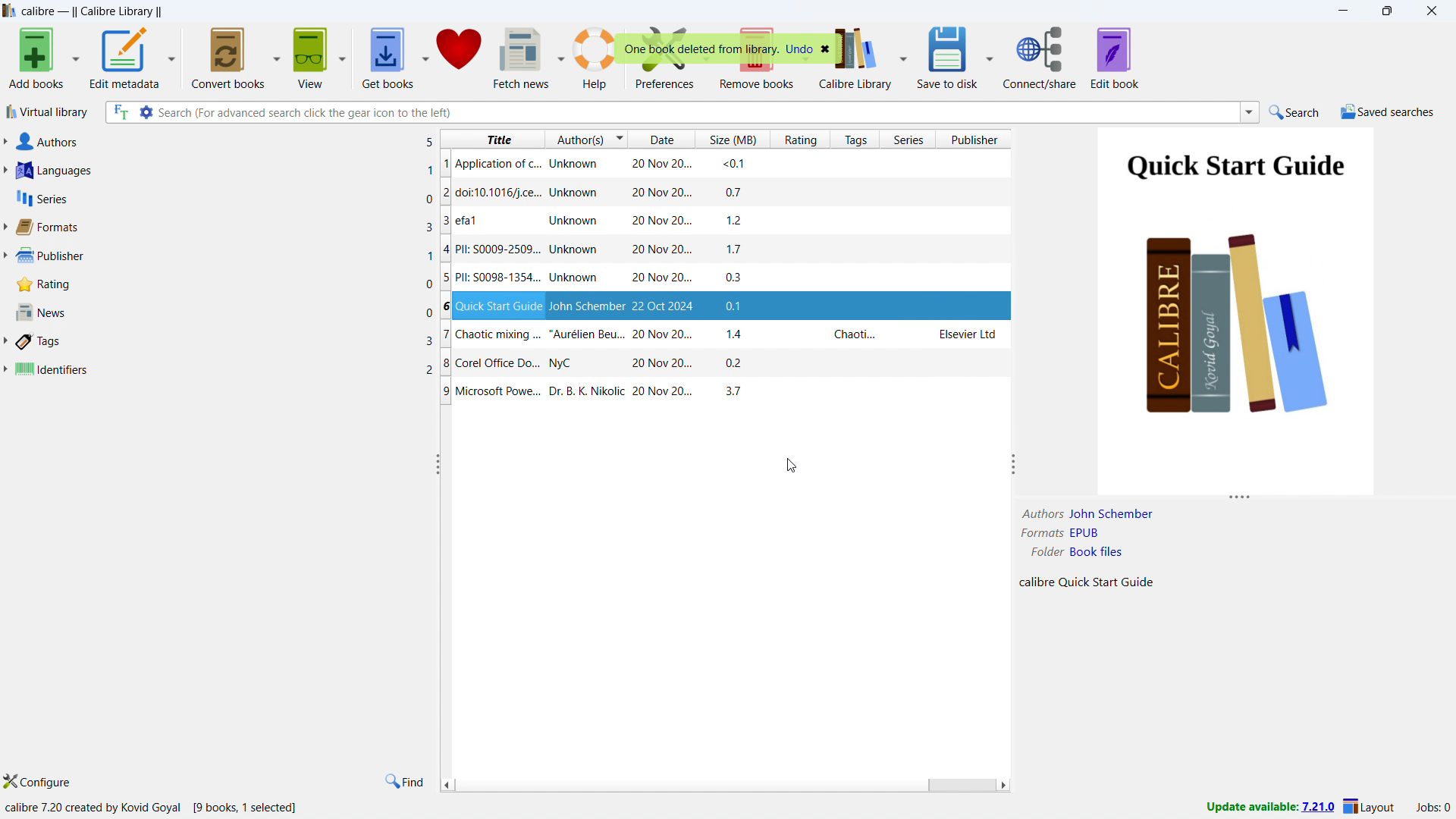 The height and width of the screenshot is (819, 1456). I want to click on PII: S0098-1354..., so click(724, 308).